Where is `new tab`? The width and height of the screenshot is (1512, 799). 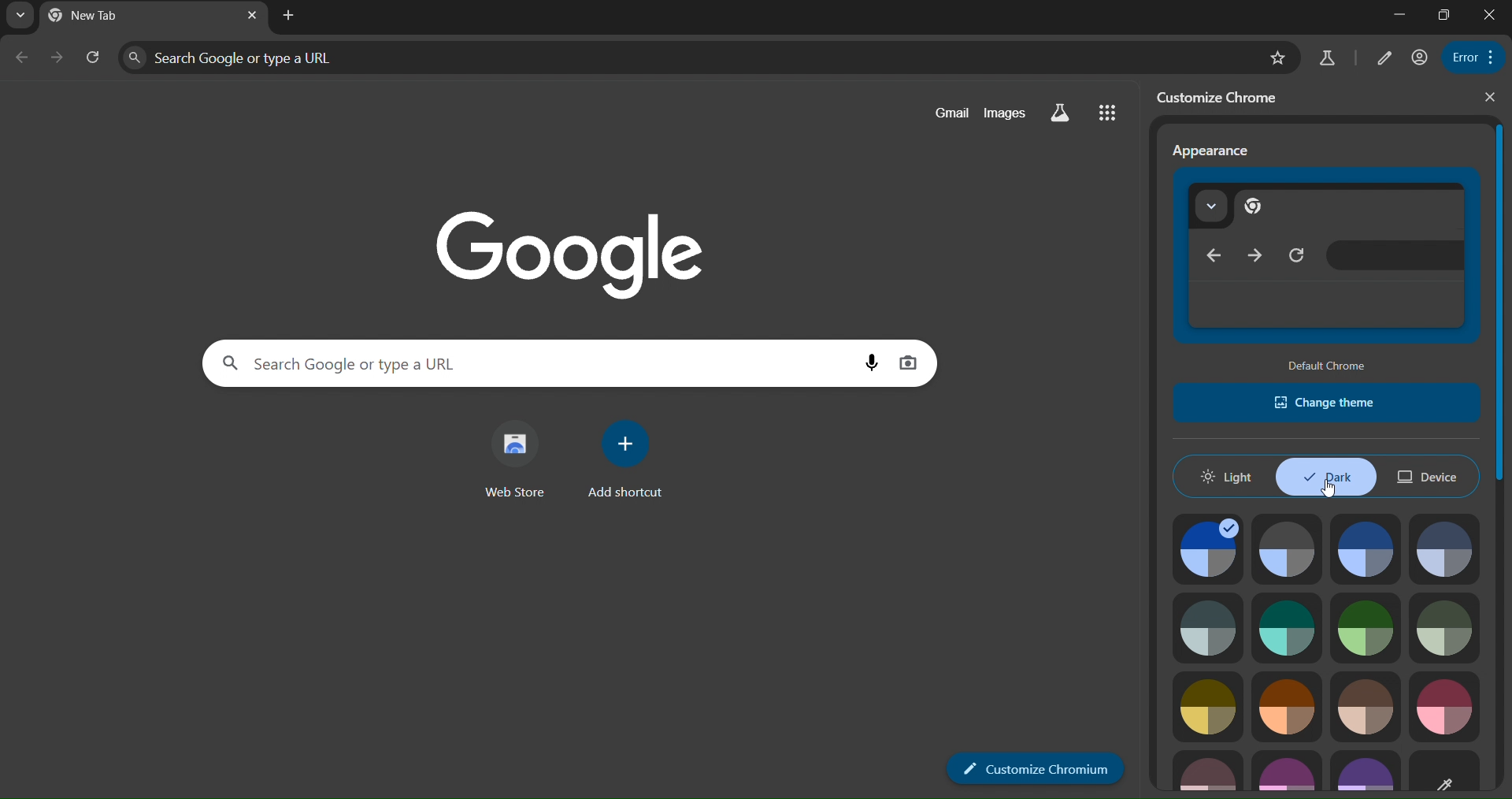 new tab is located at coordinates (289, 15).